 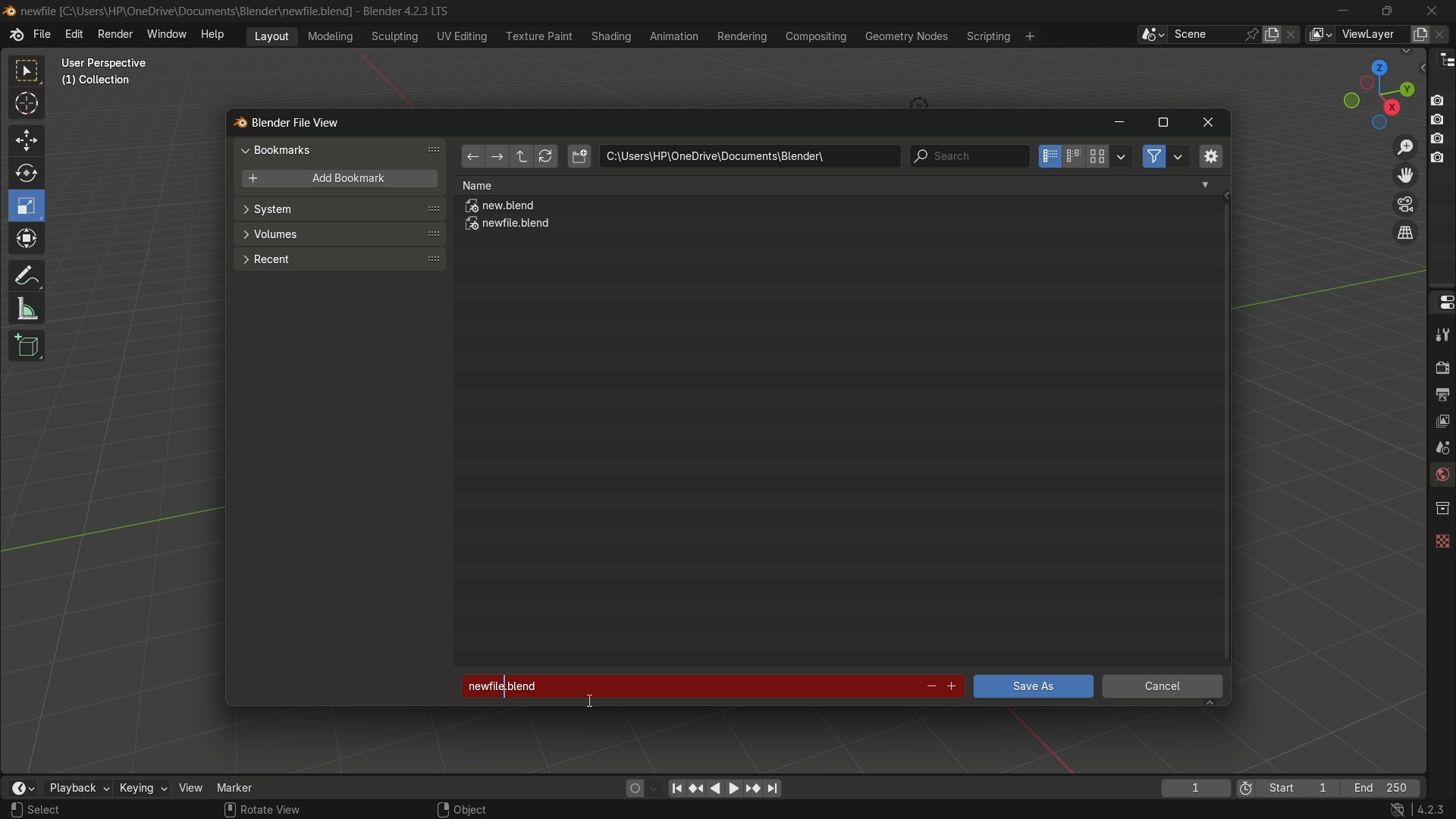 I want to click on bookmarks, so click(x=343, y=149).